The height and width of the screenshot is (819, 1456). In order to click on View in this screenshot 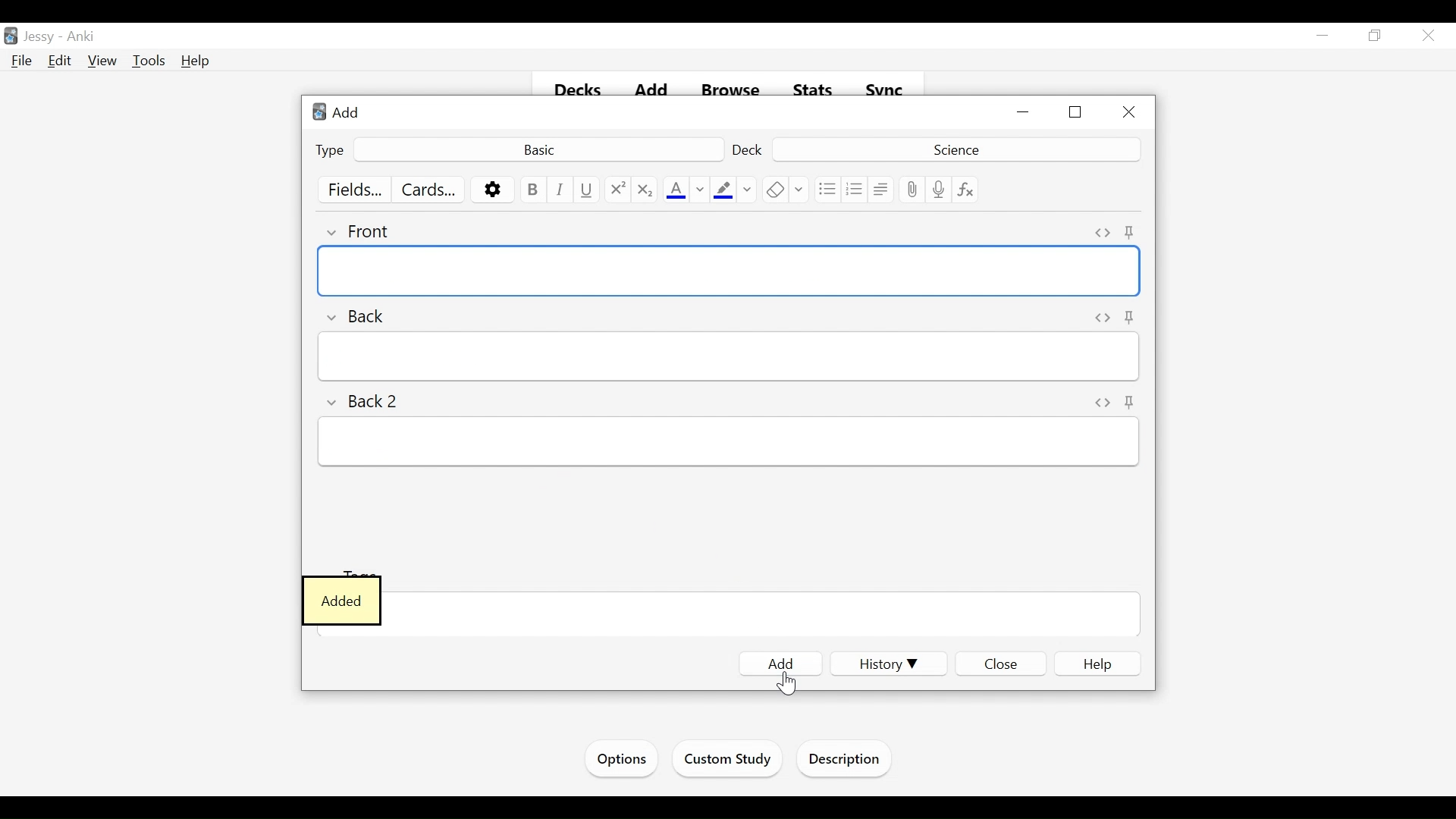, I will do `click(103, 61)`.